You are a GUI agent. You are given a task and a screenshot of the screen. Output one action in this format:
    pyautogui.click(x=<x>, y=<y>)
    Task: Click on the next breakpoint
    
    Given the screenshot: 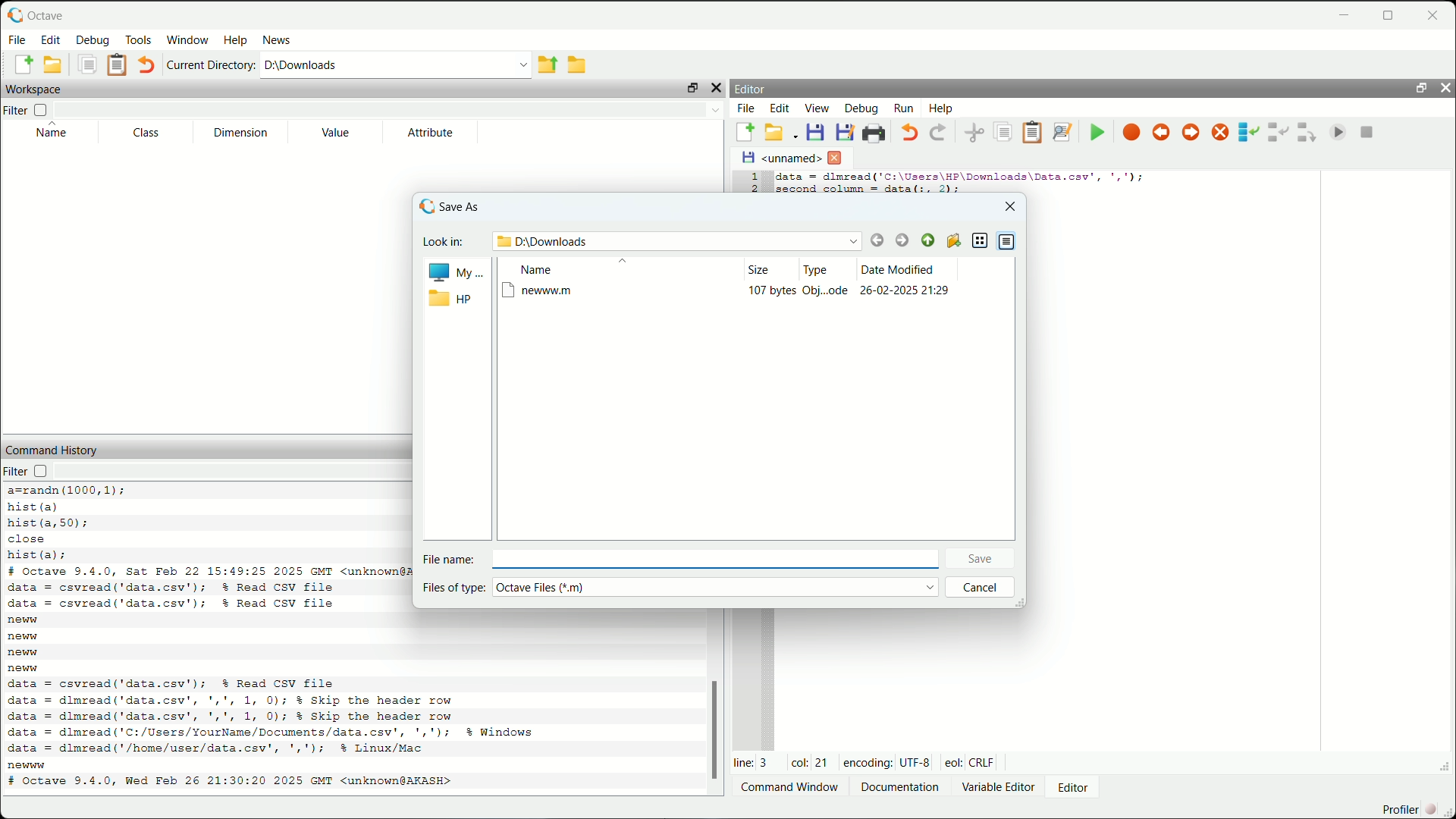 What is the action you would take?
    pyautogui.click(x=1189, y=133)
    